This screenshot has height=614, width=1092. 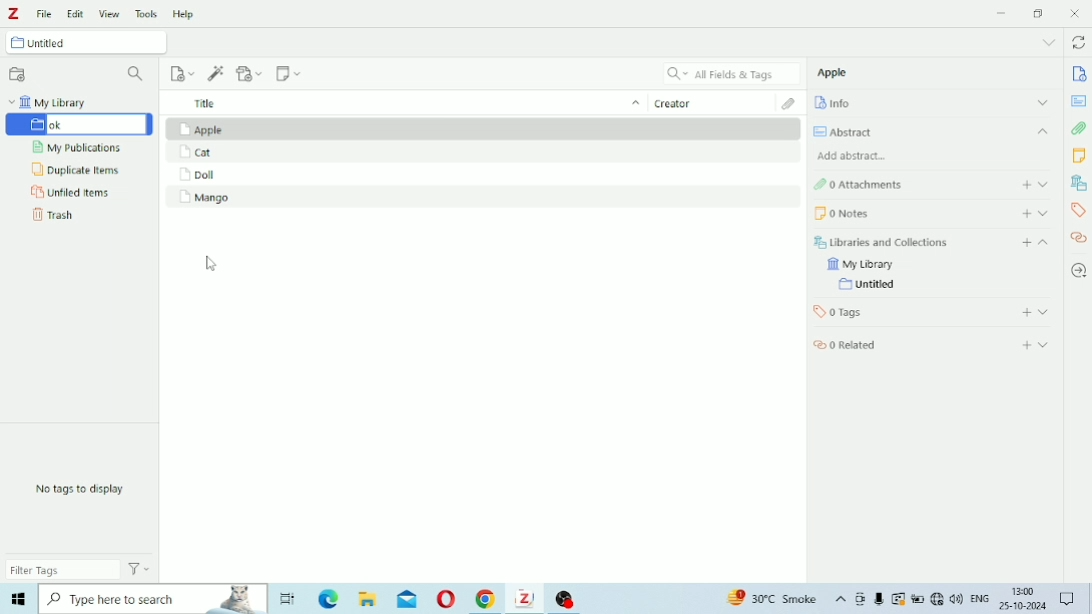 What do you see at coordinates (15, 13) in the screenshot?
I see `Logo` at bounding box center [15, 13].